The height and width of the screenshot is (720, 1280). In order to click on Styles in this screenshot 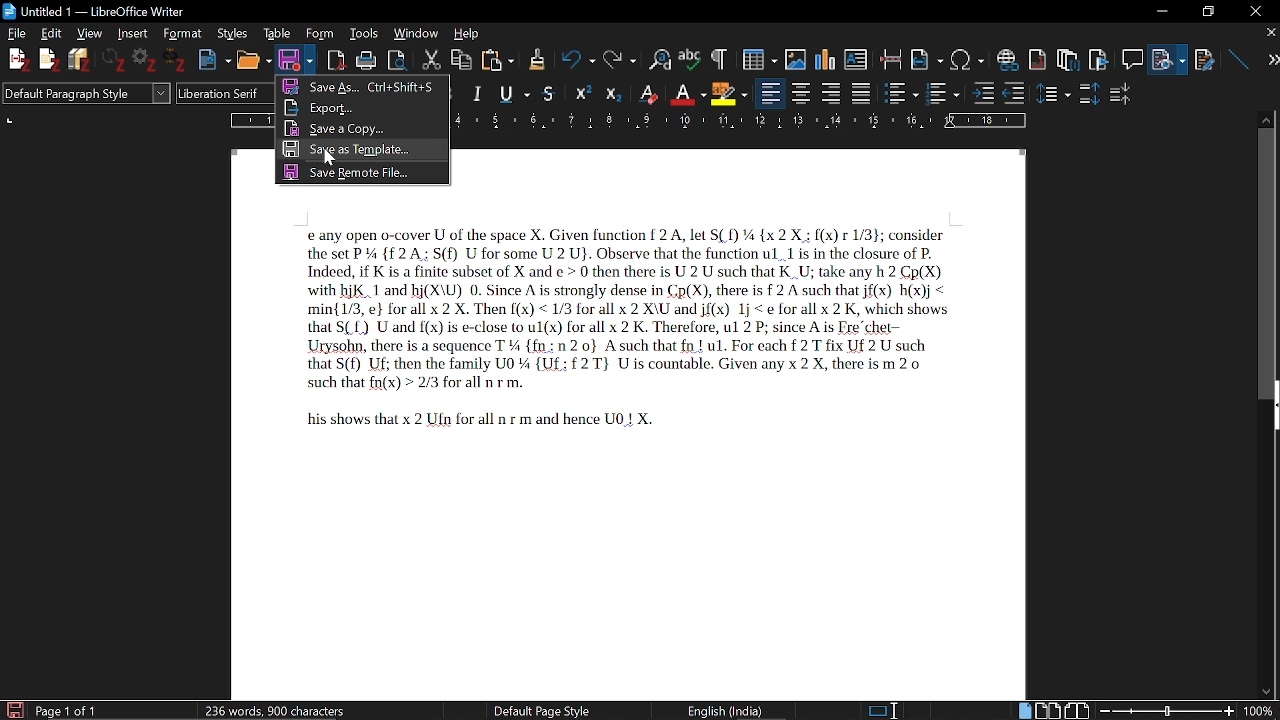, I will do `click(231, 34)`.